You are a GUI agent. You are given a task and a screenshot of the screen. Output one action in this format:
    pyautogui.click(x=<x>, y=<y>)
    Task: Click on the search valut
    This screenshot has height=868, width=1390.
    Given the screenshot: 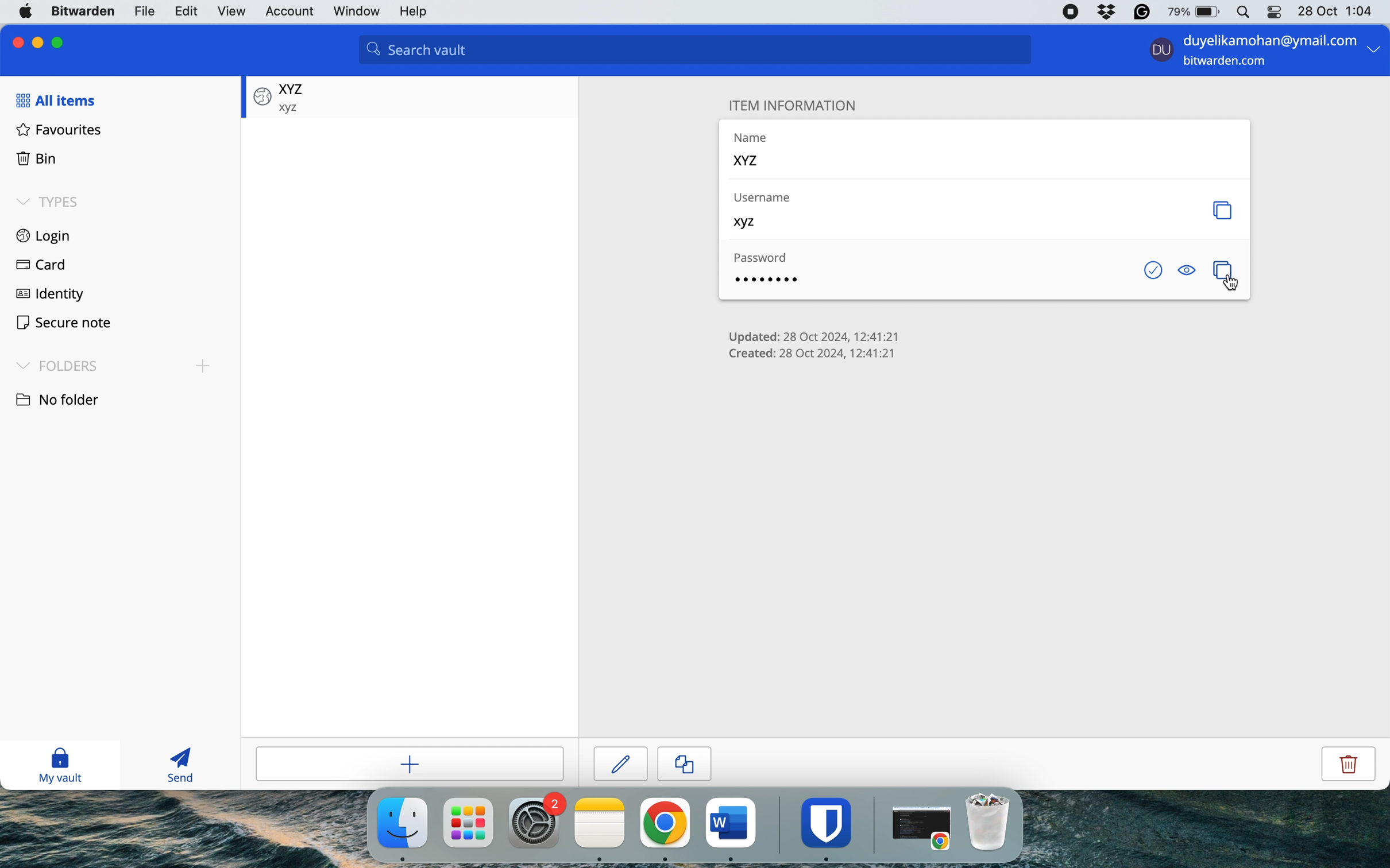 What is the action you would take?
    pyautogui.click(x=702, y=52)
    